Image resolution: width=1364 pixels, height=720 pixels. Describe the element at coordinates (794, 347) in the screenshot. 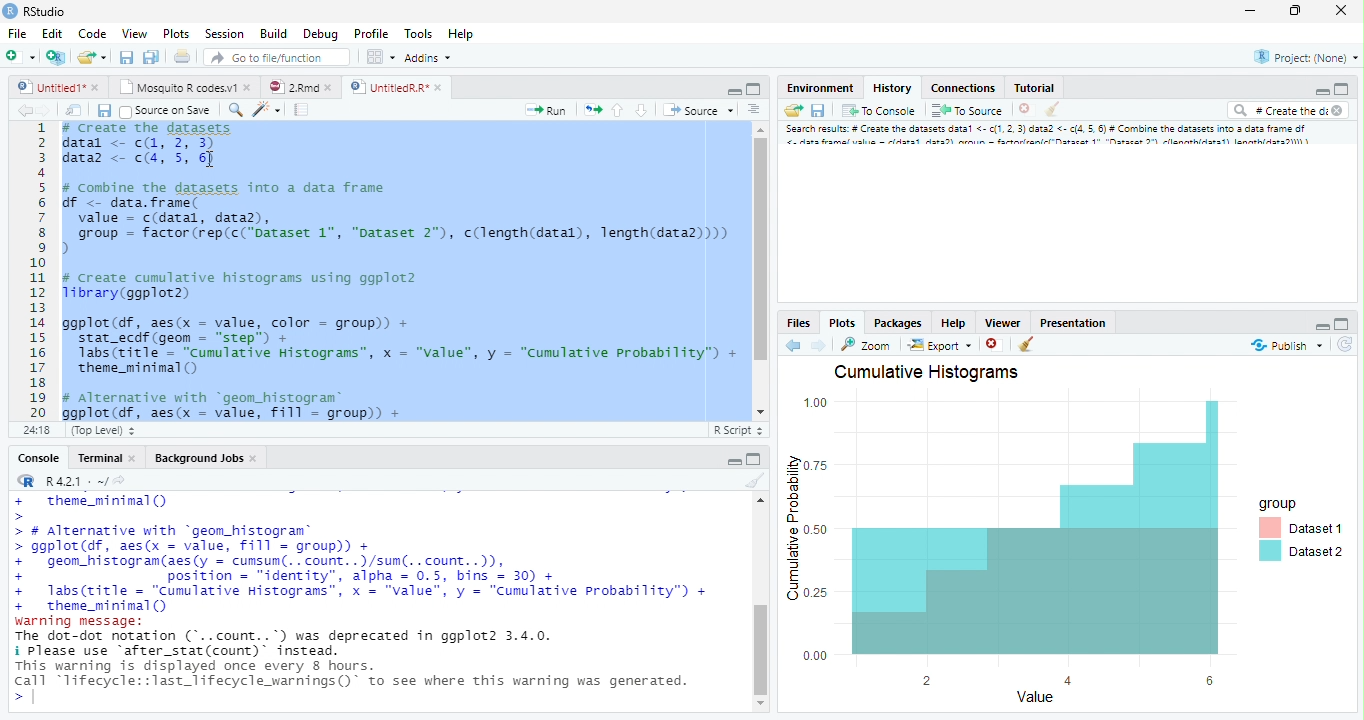

I see `back` at that location.